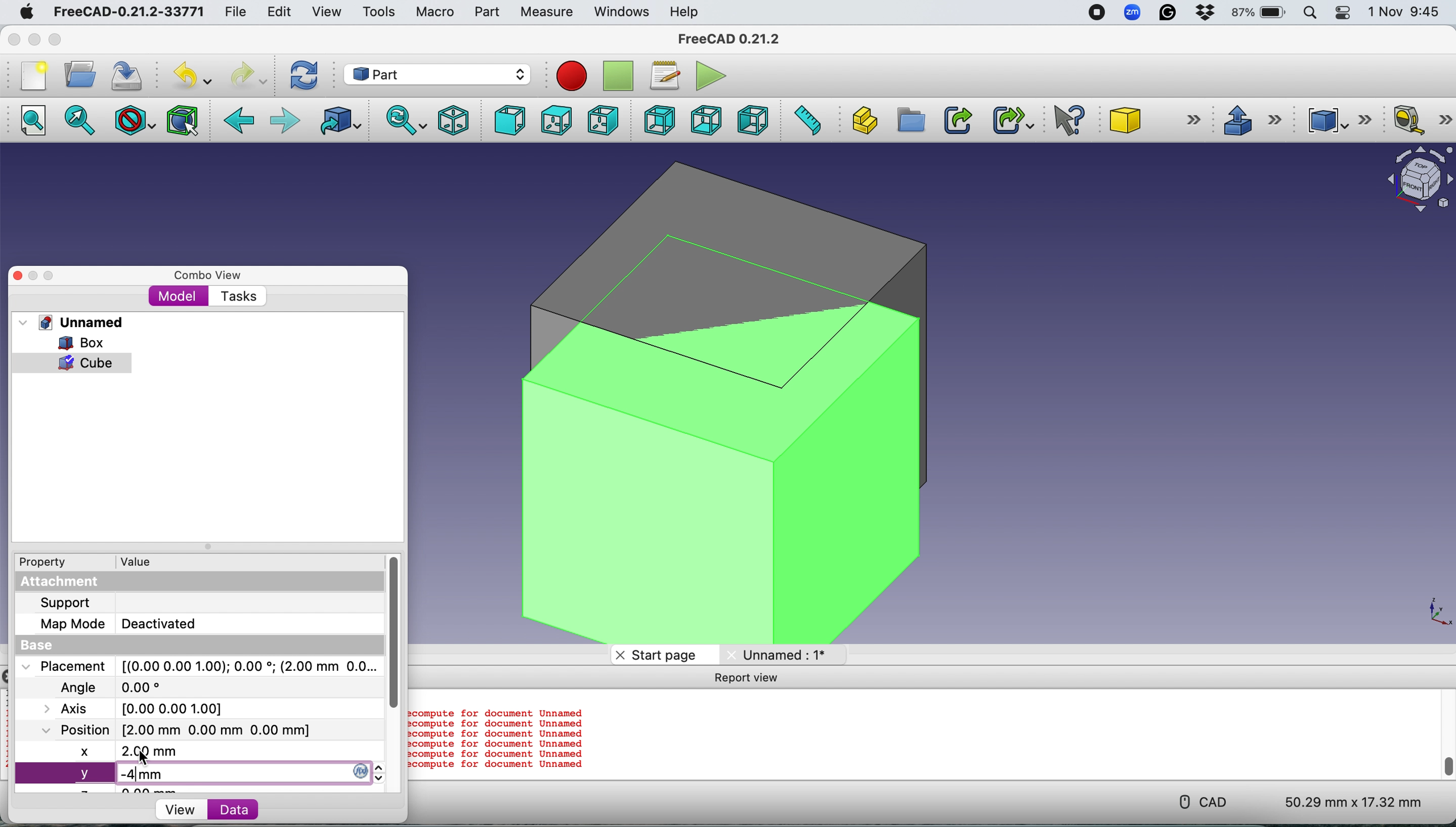  What do you see at coordinates (277, 12) in the screenshot?
I see `Edit` at bounding box center [277, 12].